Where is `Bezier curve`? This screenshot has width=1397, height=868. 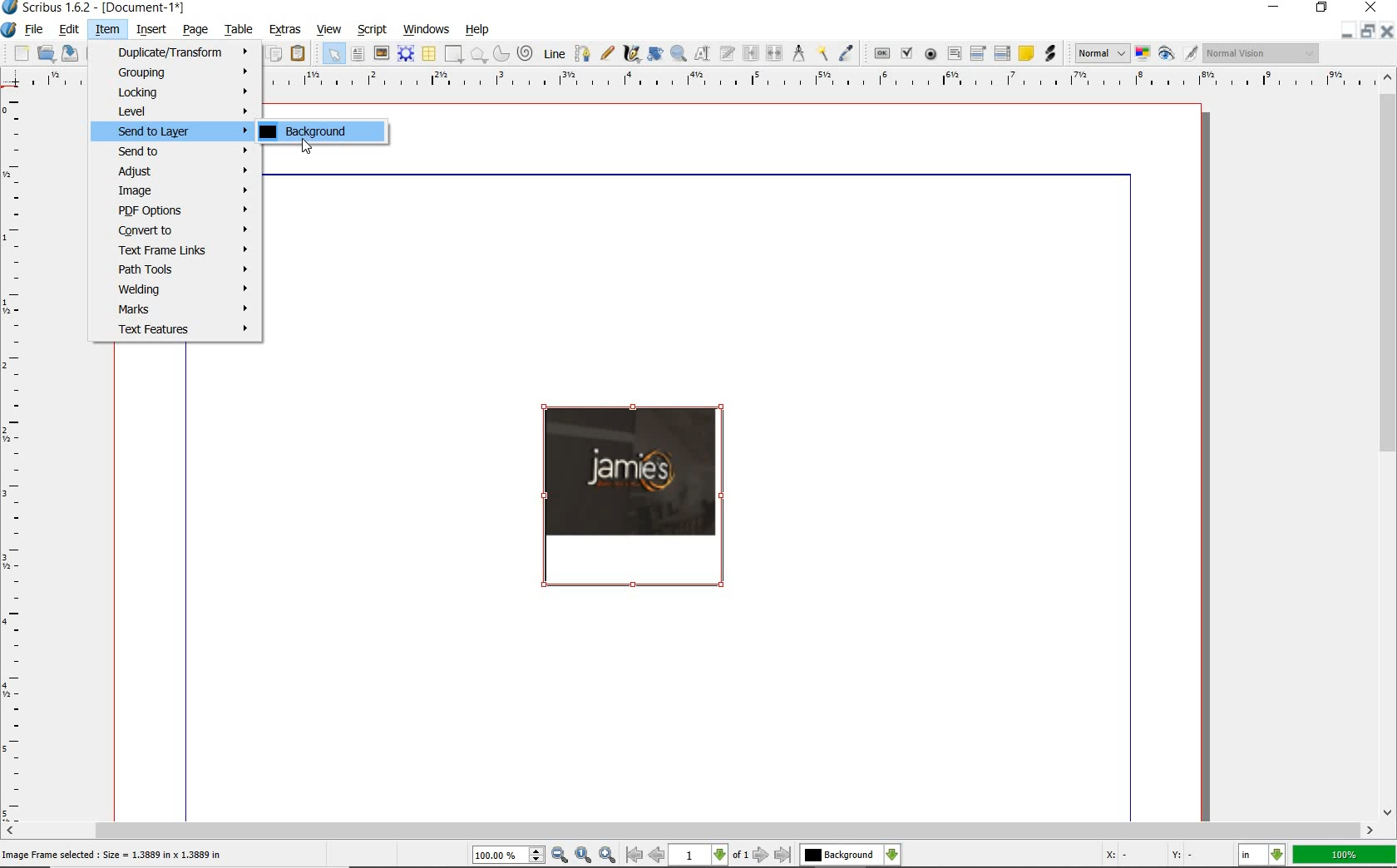
Bezier curve is located at coordinates (583, 52).